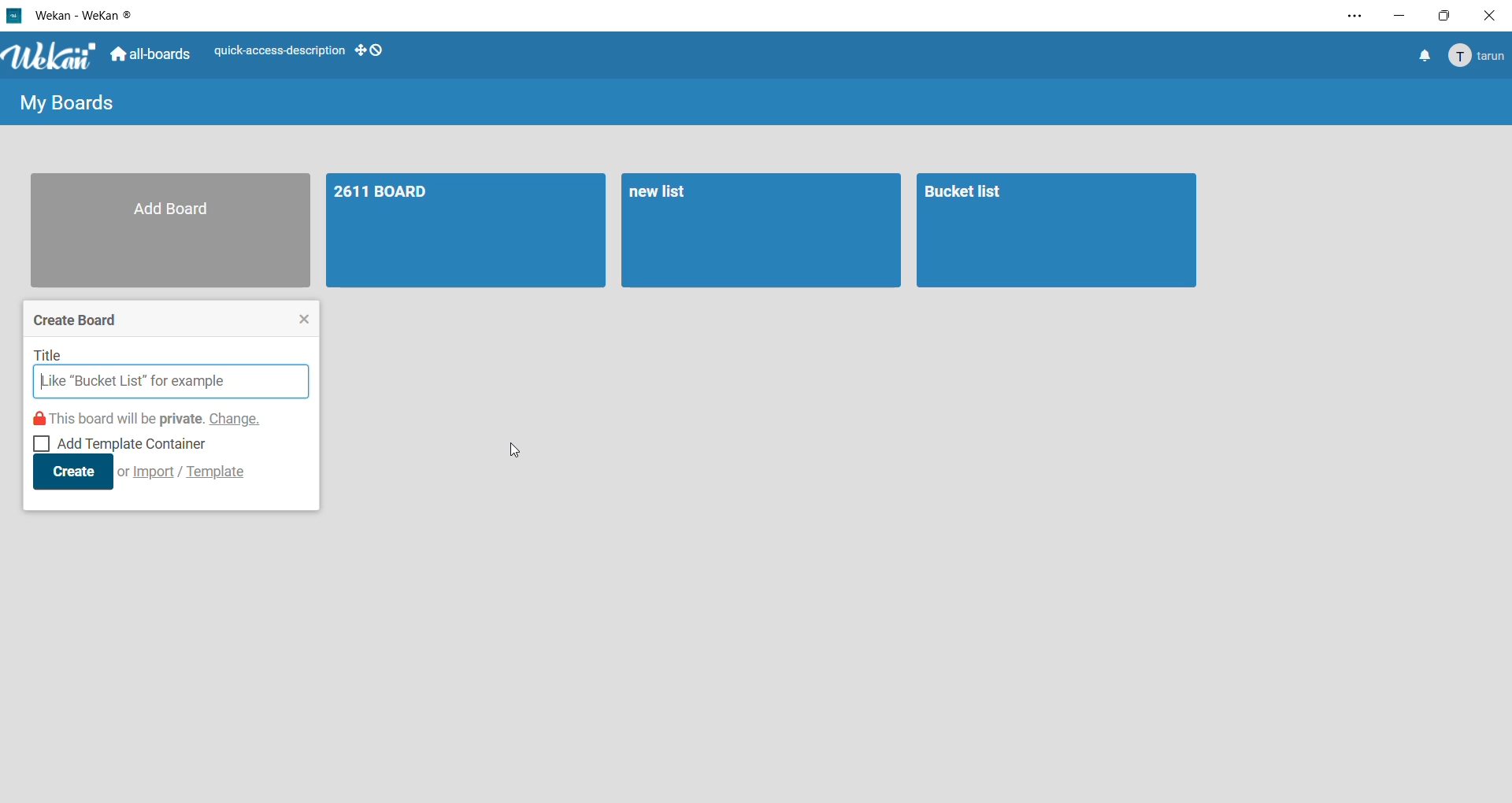 The height and width of the screenshot is (803, 1512). What do you see at coordinates (1490, 16) in the screenshot?
I see `close` at bounding box center [1490, 16].